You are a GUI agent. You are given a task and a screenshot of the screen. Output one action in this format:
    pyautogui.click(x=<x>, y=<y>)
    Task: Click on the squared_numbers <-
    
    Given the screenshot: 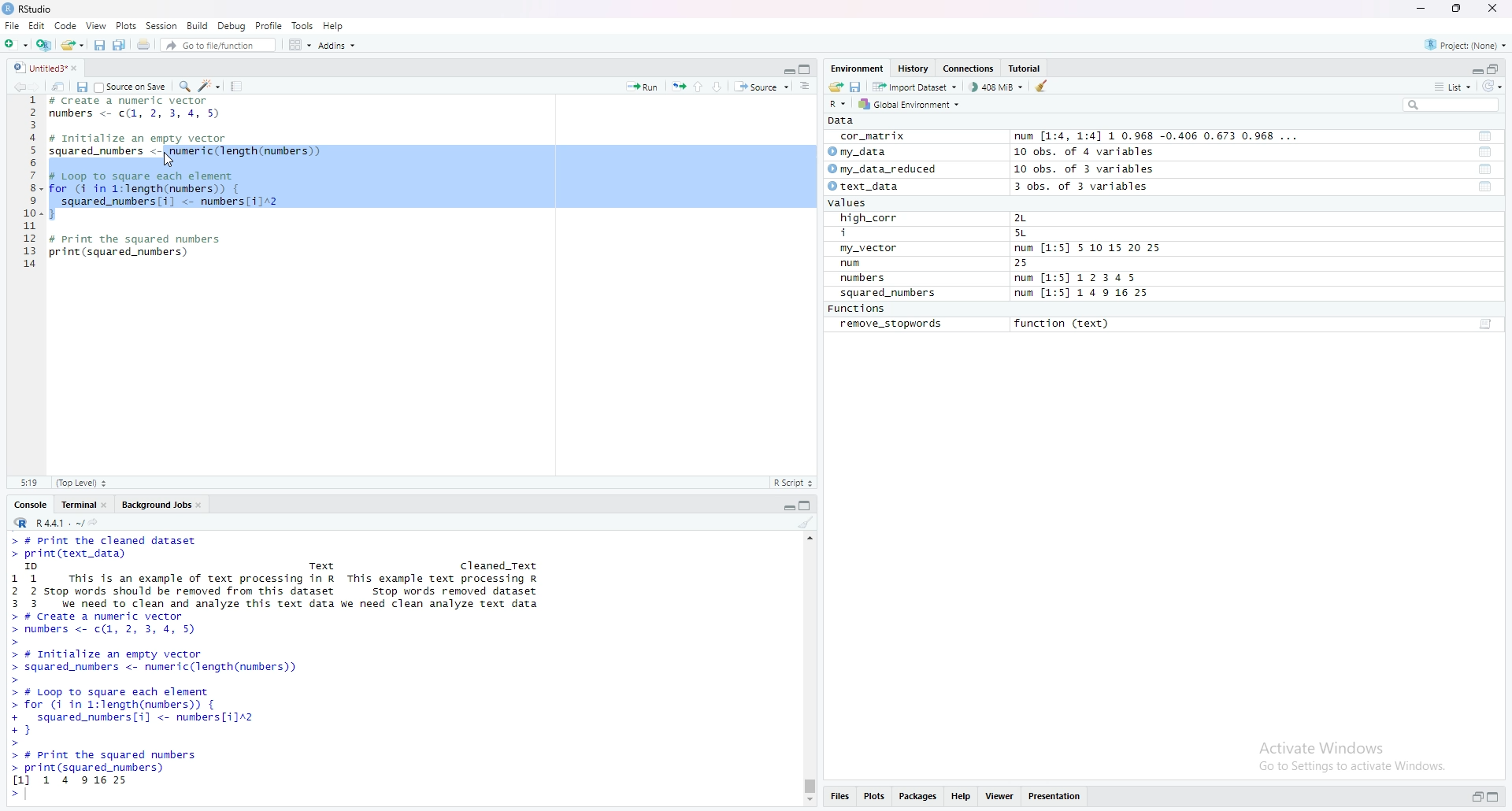 What is the action you would take?
    pyautogui.click(x=106, y=152)
    